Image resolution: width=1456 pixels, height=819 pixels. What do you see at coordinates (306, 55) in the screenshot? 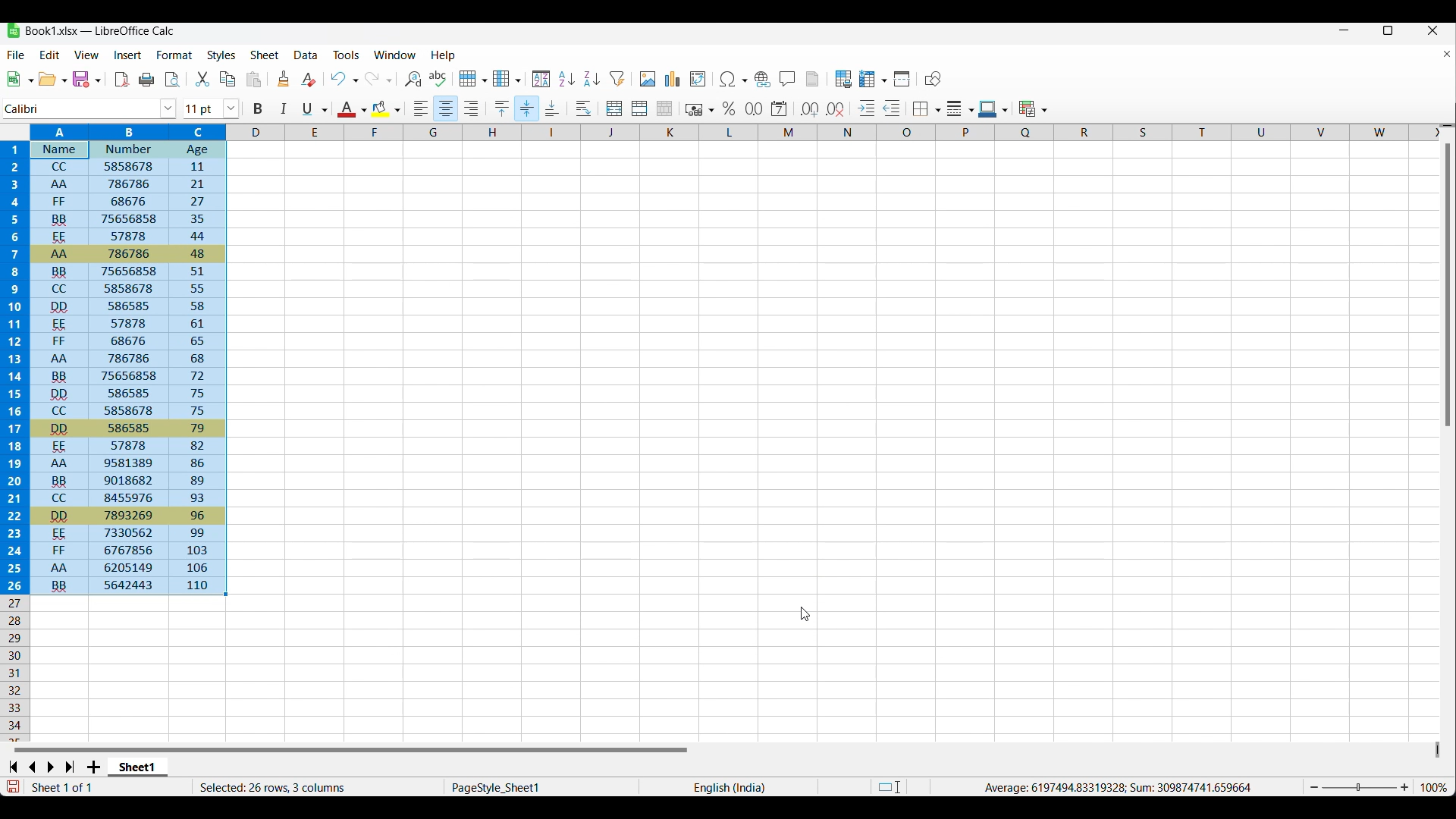
I see `Data menu` at bounding box center [306, 55].